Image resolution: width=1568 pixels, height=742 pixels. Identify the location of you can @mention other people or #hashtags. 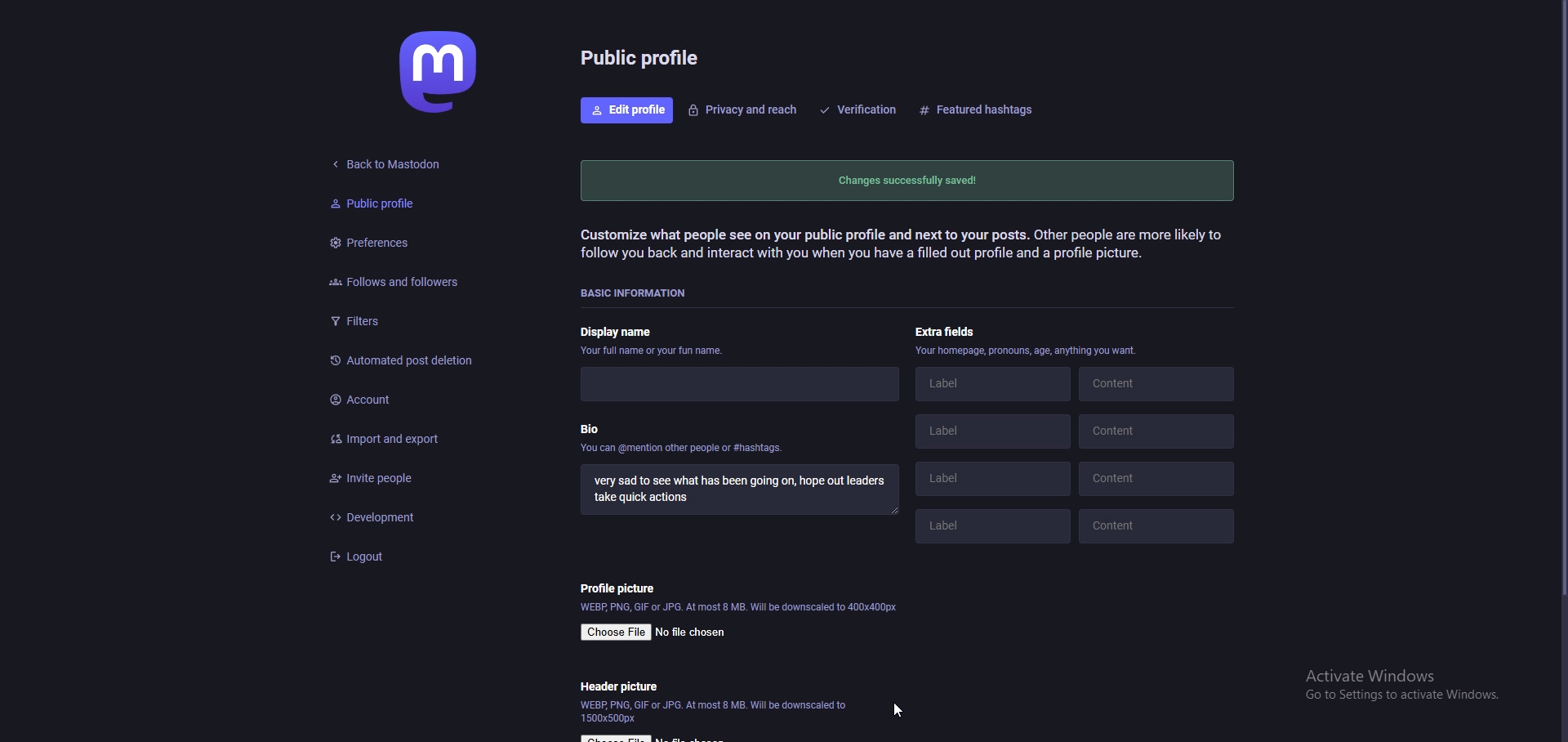
(689, 449).